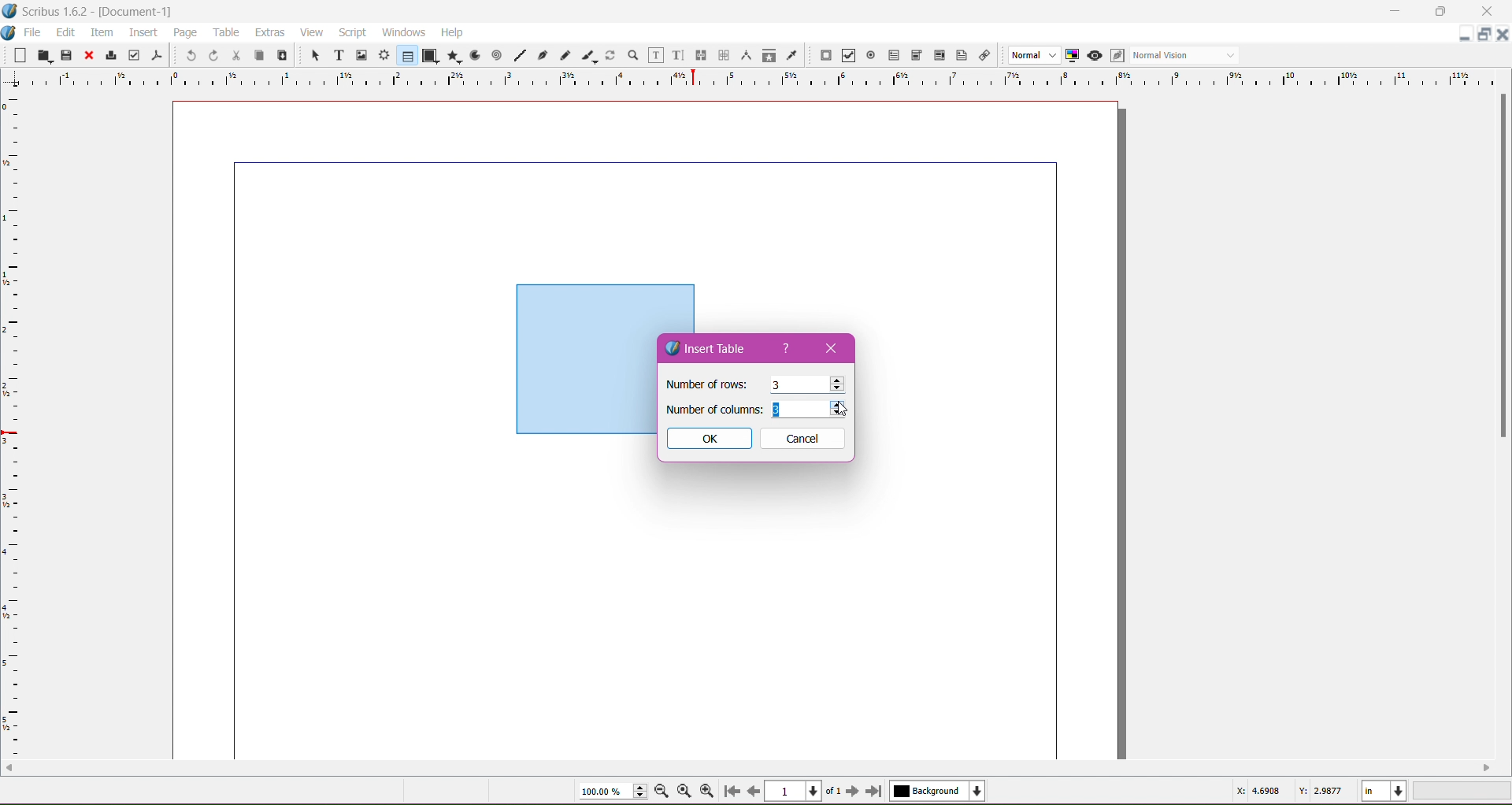  I want to click on Pdf List Box, so click(937, 56).